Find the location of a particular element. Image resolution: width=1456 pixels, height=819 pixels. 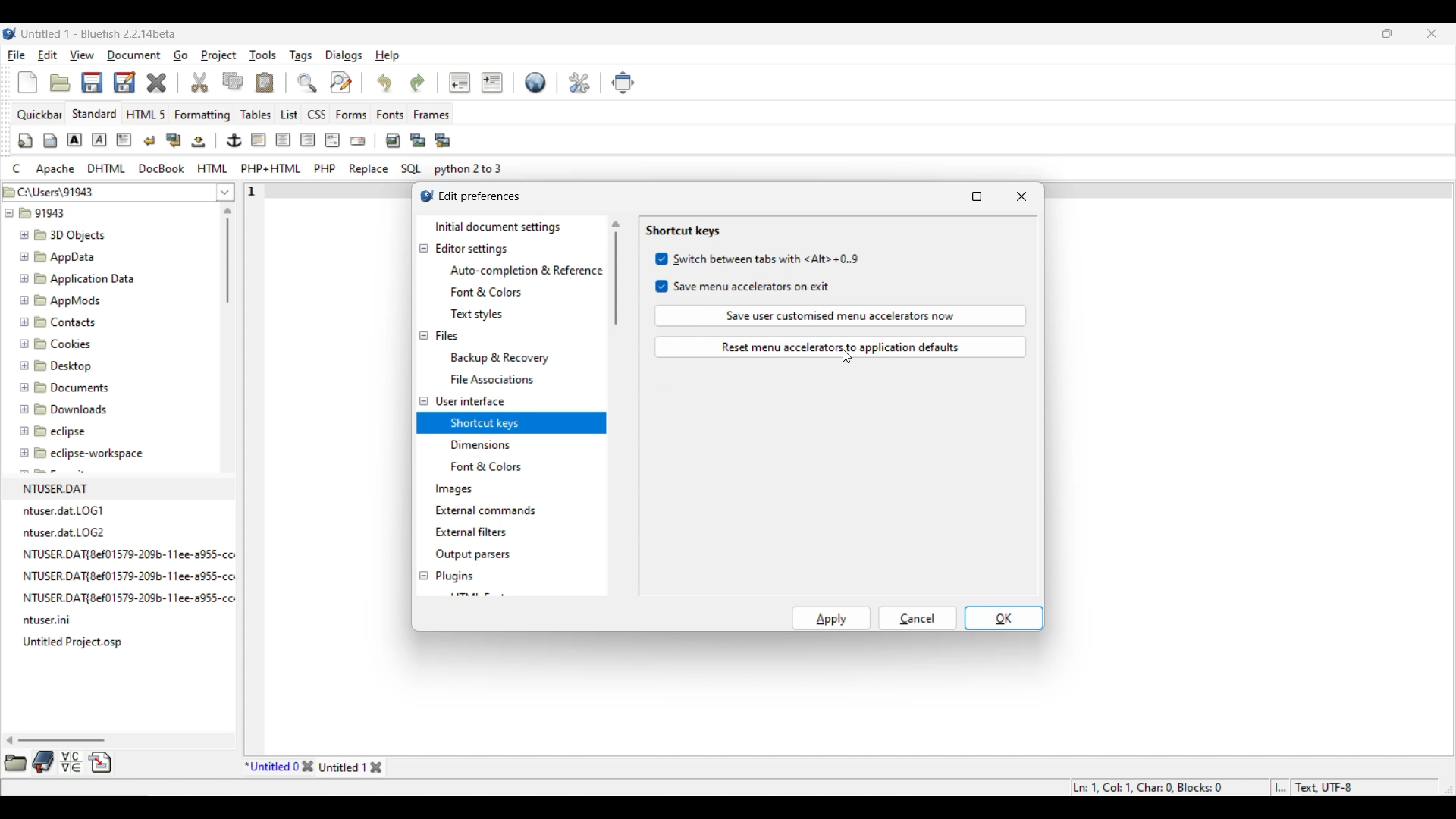

Save menu accelerators on exit is located at coordinates (744, 287).